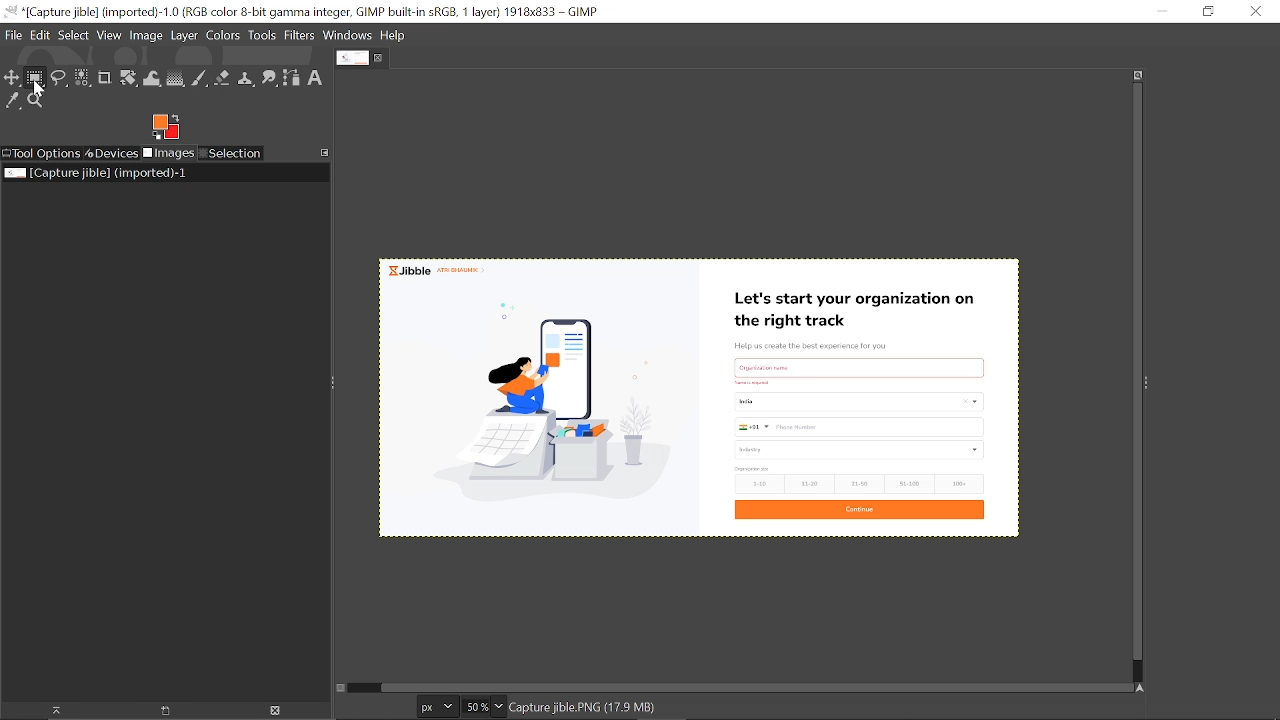 This screenshot has height=720, width=1280. I want to click on Create new display for this image, so click(162, 710).